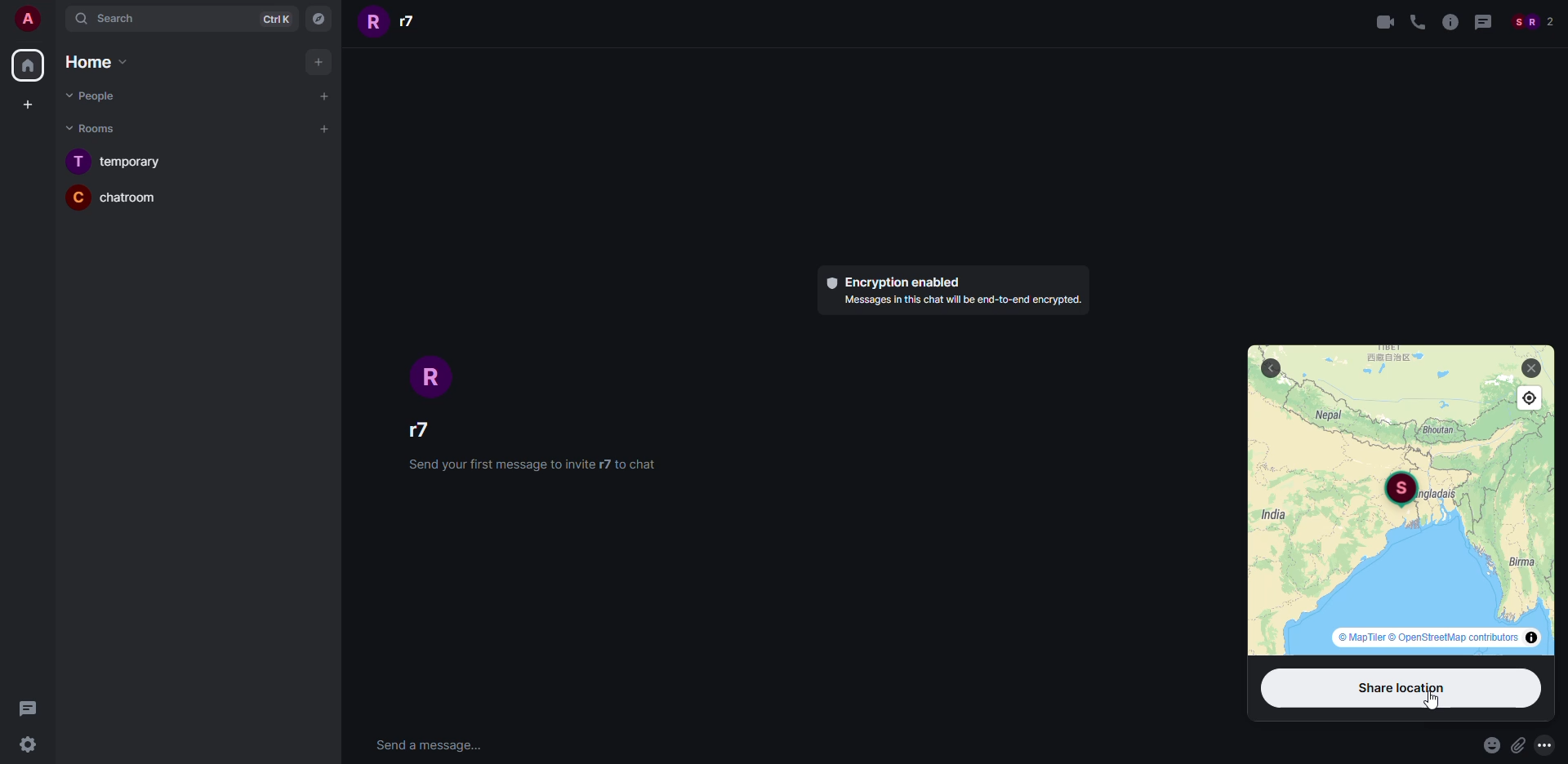 The width and height of the screenshot is (1568, 764). I want to click on People, so click(1532, 23).